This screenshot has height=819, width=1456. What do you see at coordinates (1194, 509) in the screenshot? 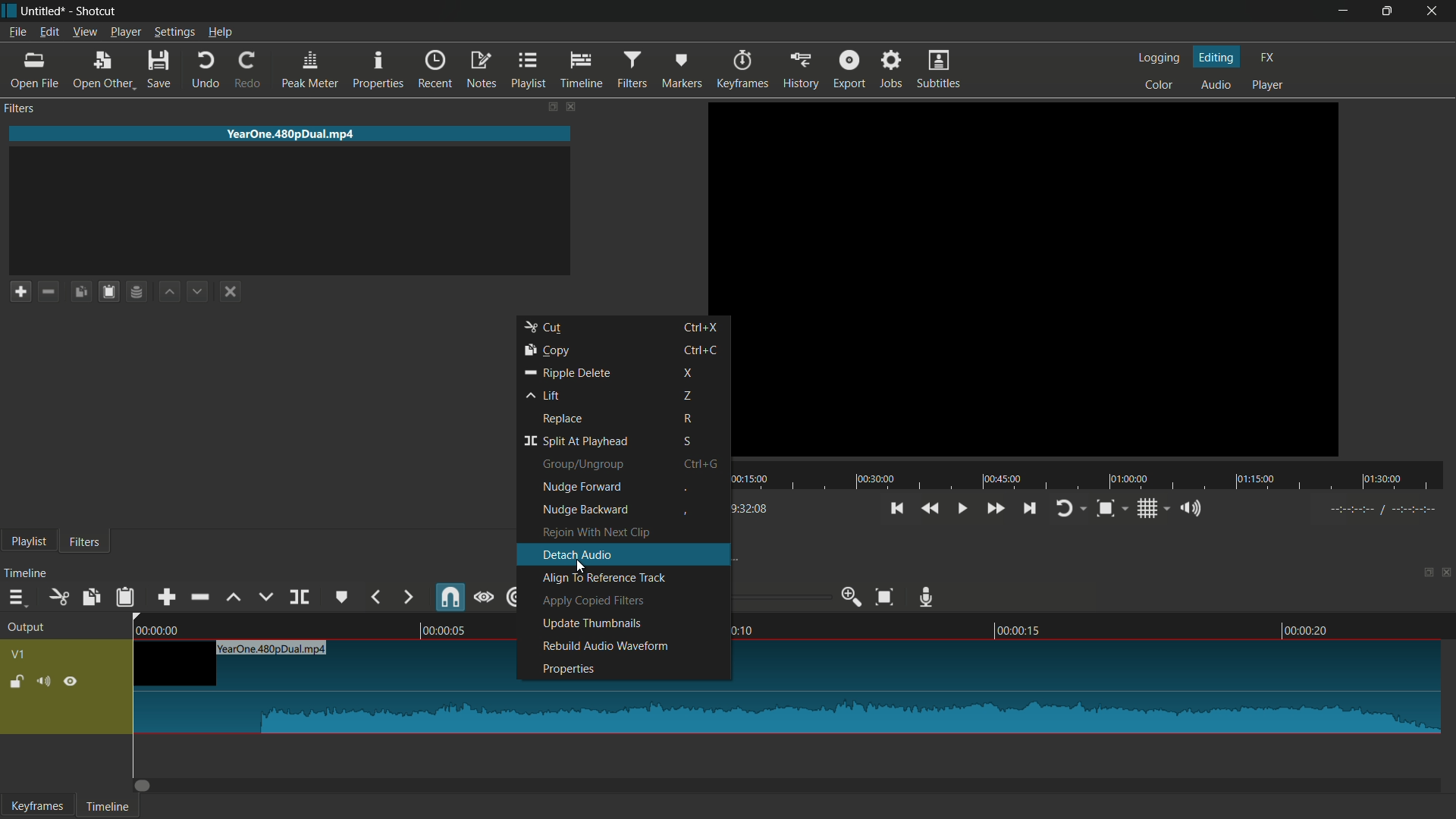
I see `show volume control` at bounding box center [1194, 509].